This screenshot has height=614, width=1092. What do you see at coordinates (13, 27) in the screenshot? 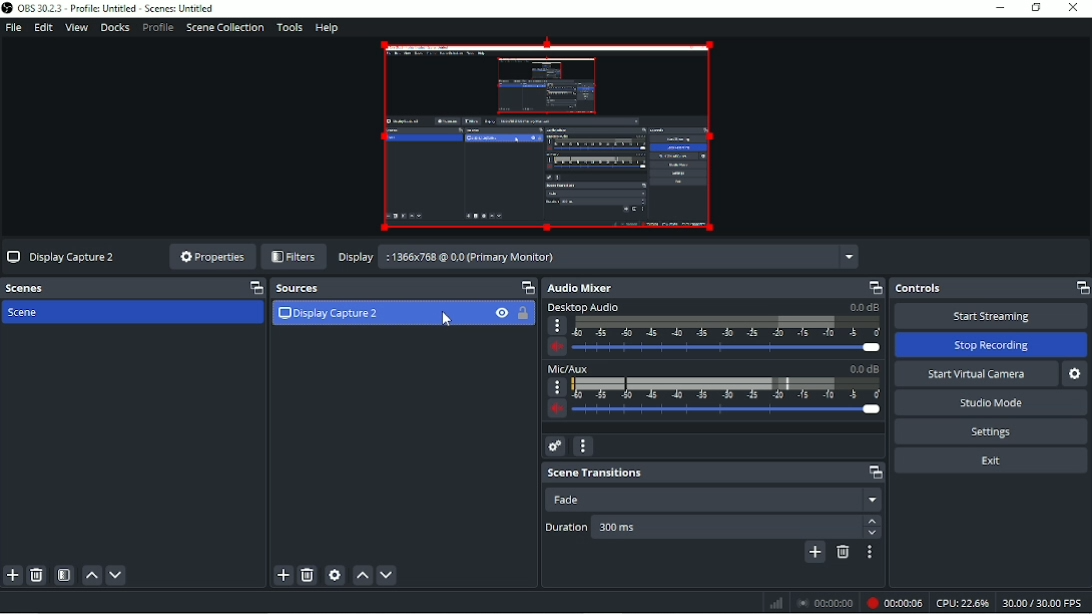
I see `File` at bounding box center [13, 27].